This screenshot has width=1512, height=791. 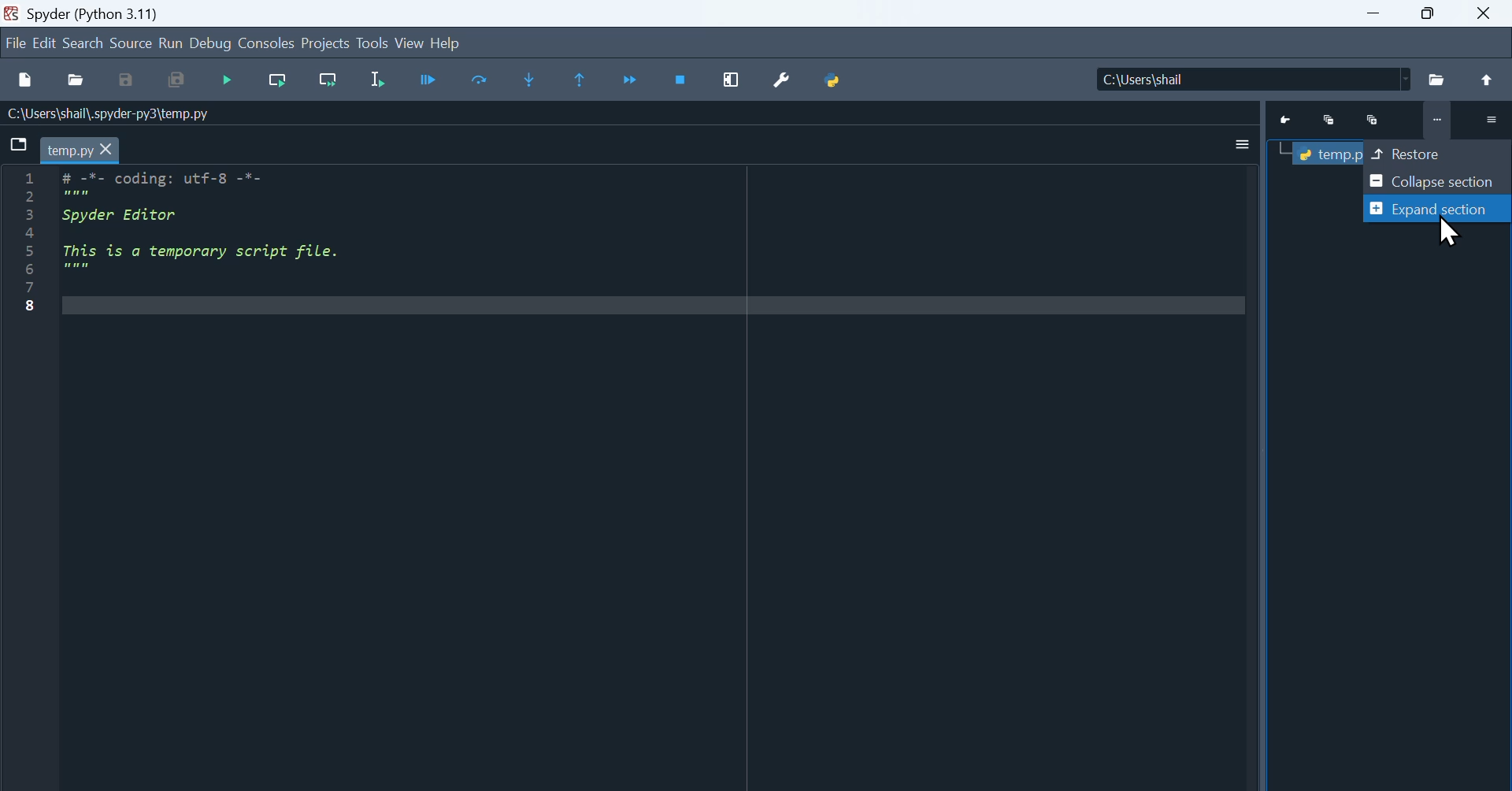 What do you see at coordinates (11, 12) in the screenshot?
I see `Spyder icon` at bounding box center [11, 12].